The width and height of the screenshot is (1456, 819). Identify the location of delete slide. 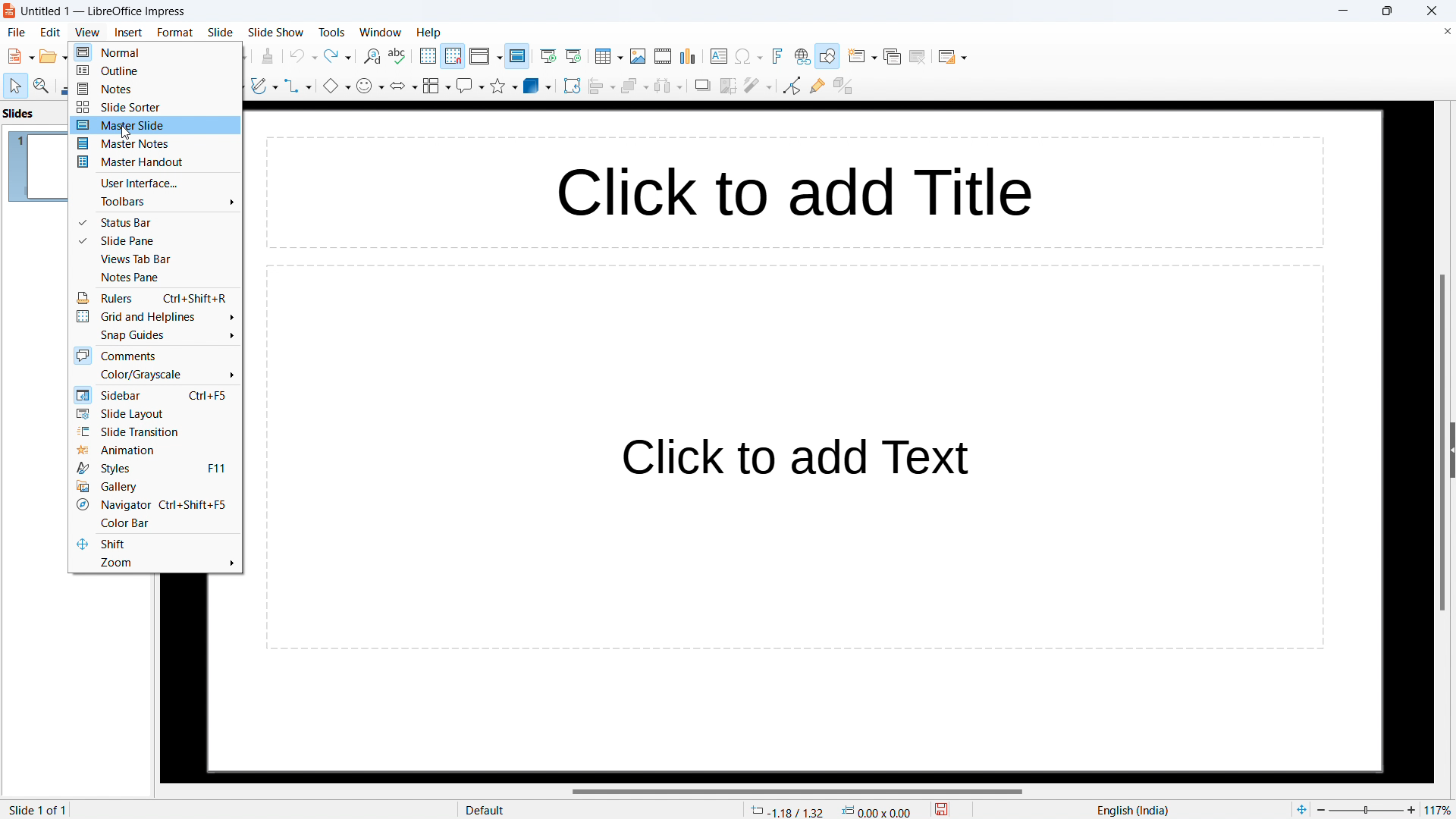
(918, 58).